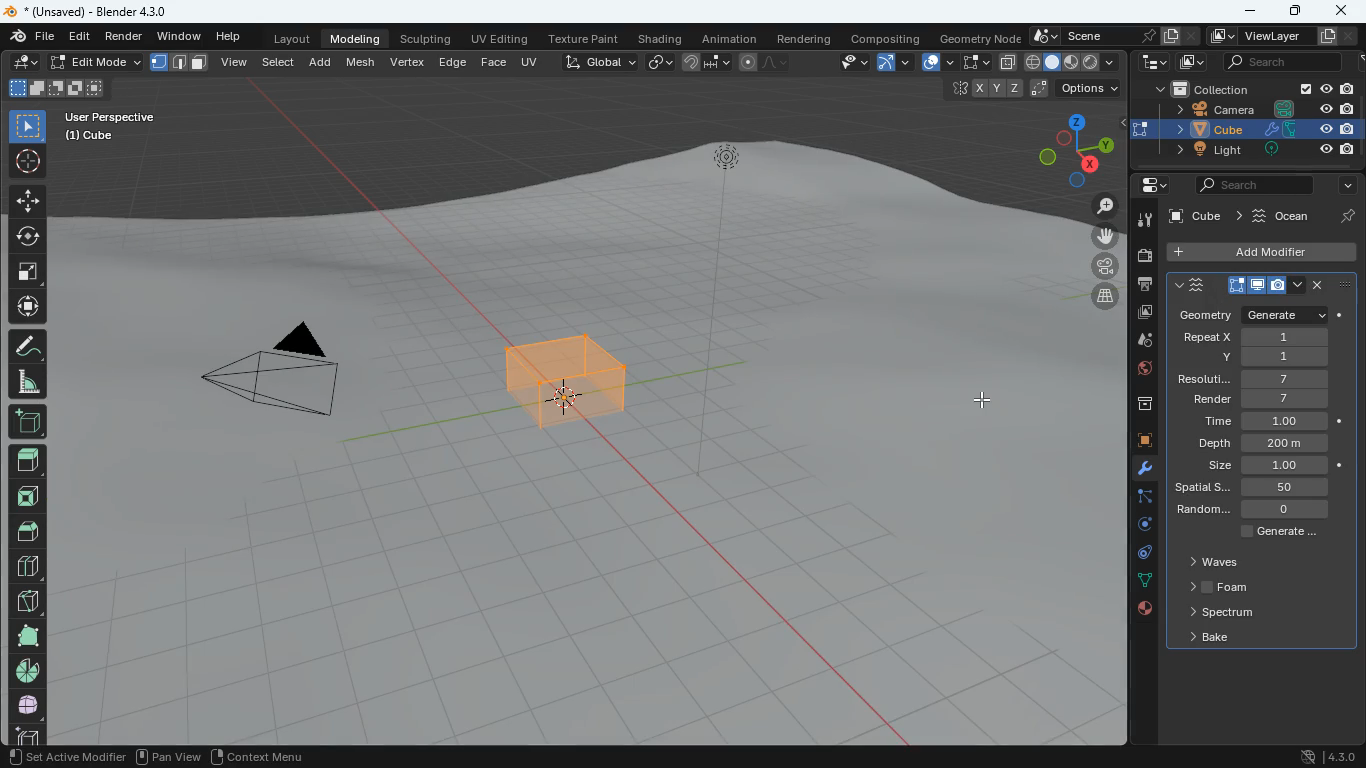 This screenshot has width=1366, height=768. What do you see at coordinates (1138, 555) in the screenshot?
I see `controls` at bounding box center [1138, 555].